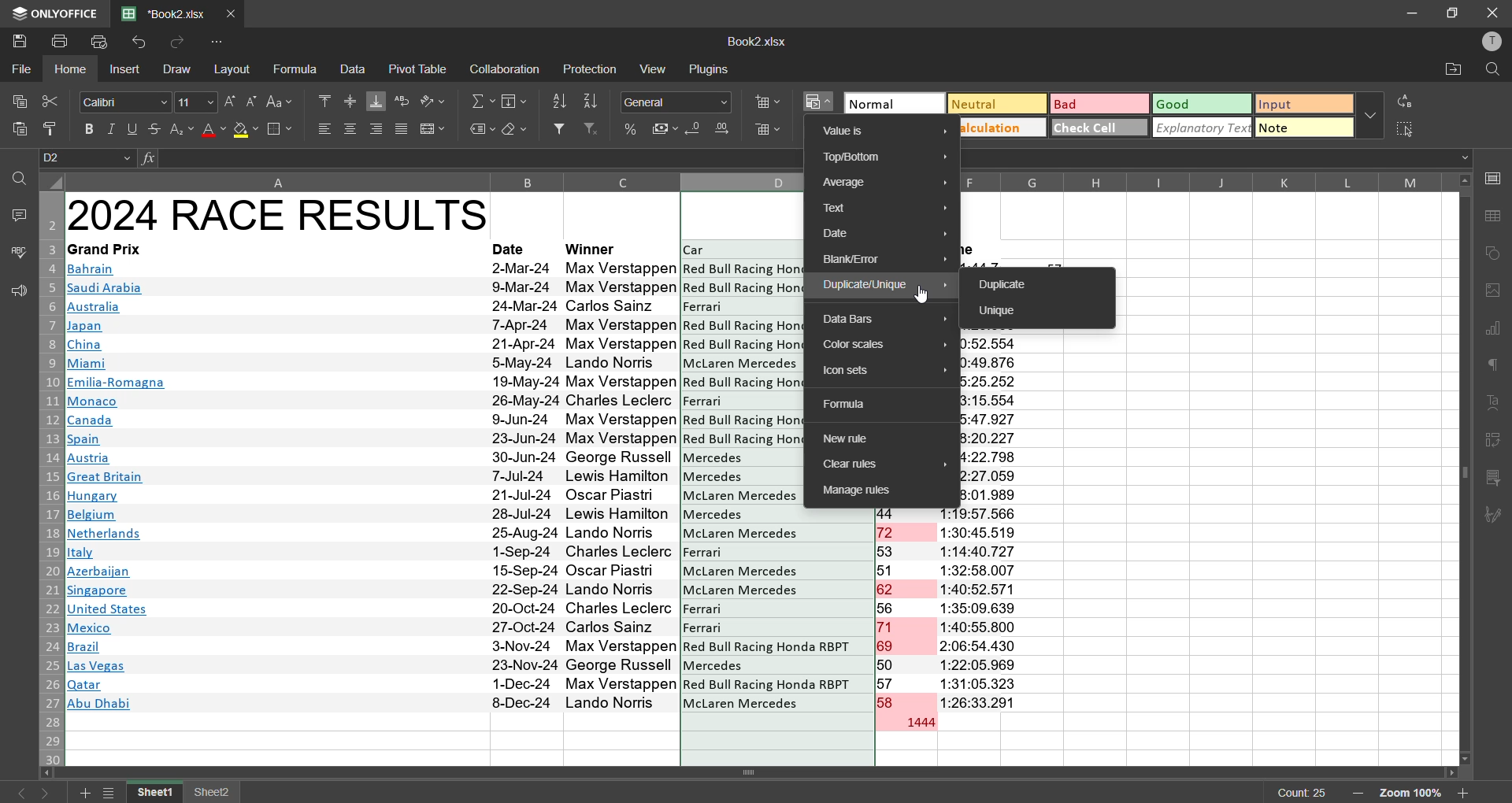 This screenshot has width=1512, height=803. Describe the element at coordinates (766, 100) in the screenshot. I see `insert cells` at that location.